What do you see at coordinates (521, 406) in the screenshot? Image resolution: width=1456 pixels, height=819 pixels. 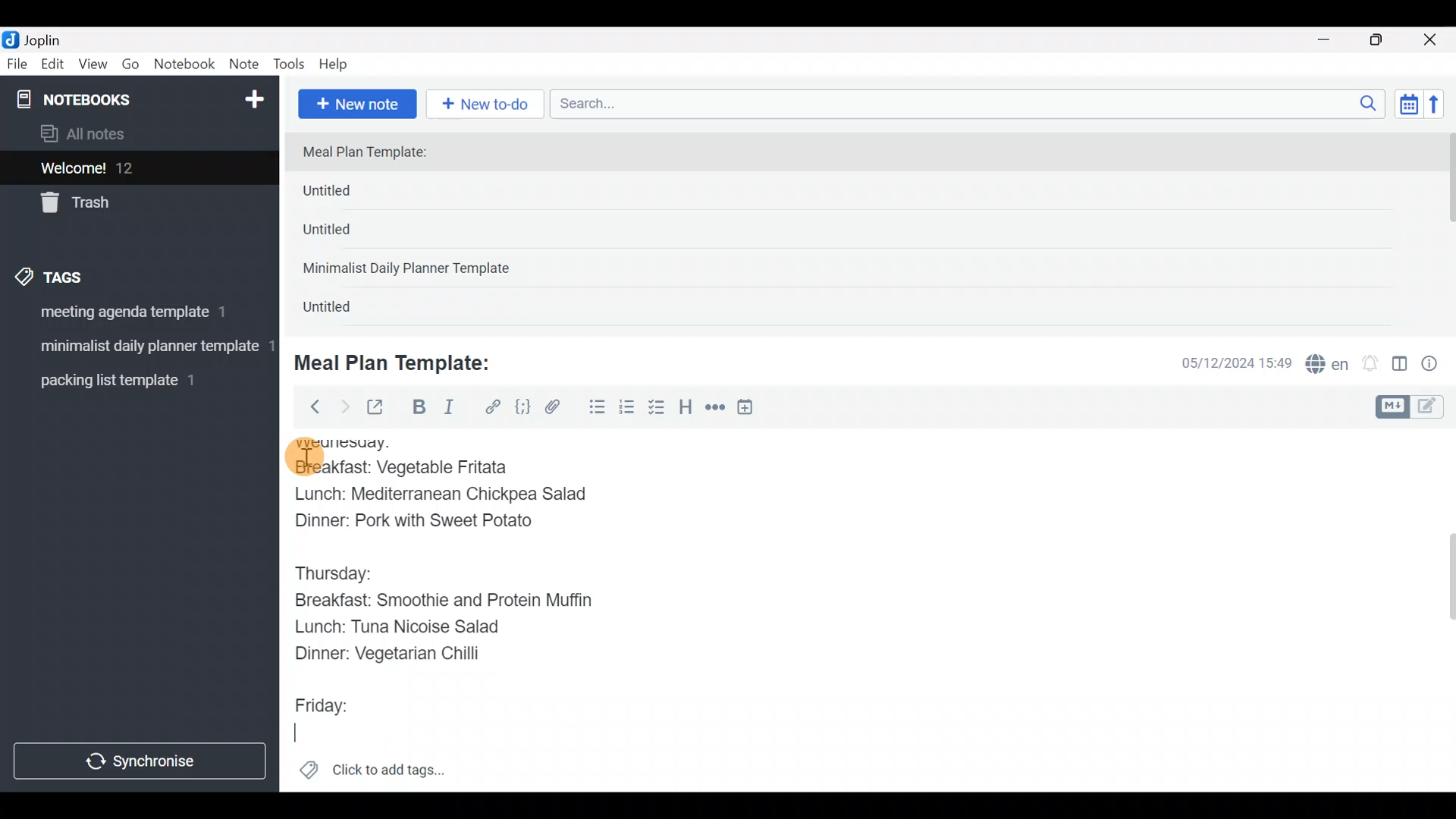 I see `Code` at bounding box center [521, 406].